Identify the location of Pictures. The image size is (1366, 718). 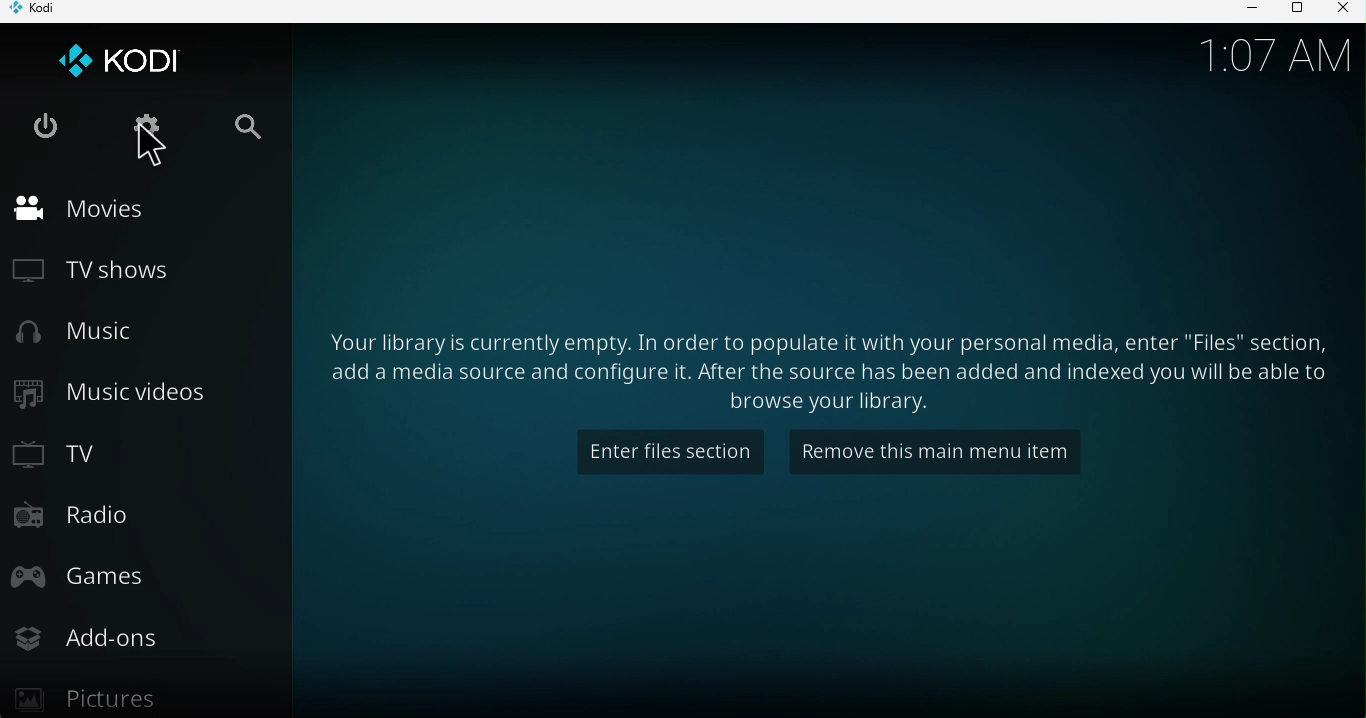
(98, 694).